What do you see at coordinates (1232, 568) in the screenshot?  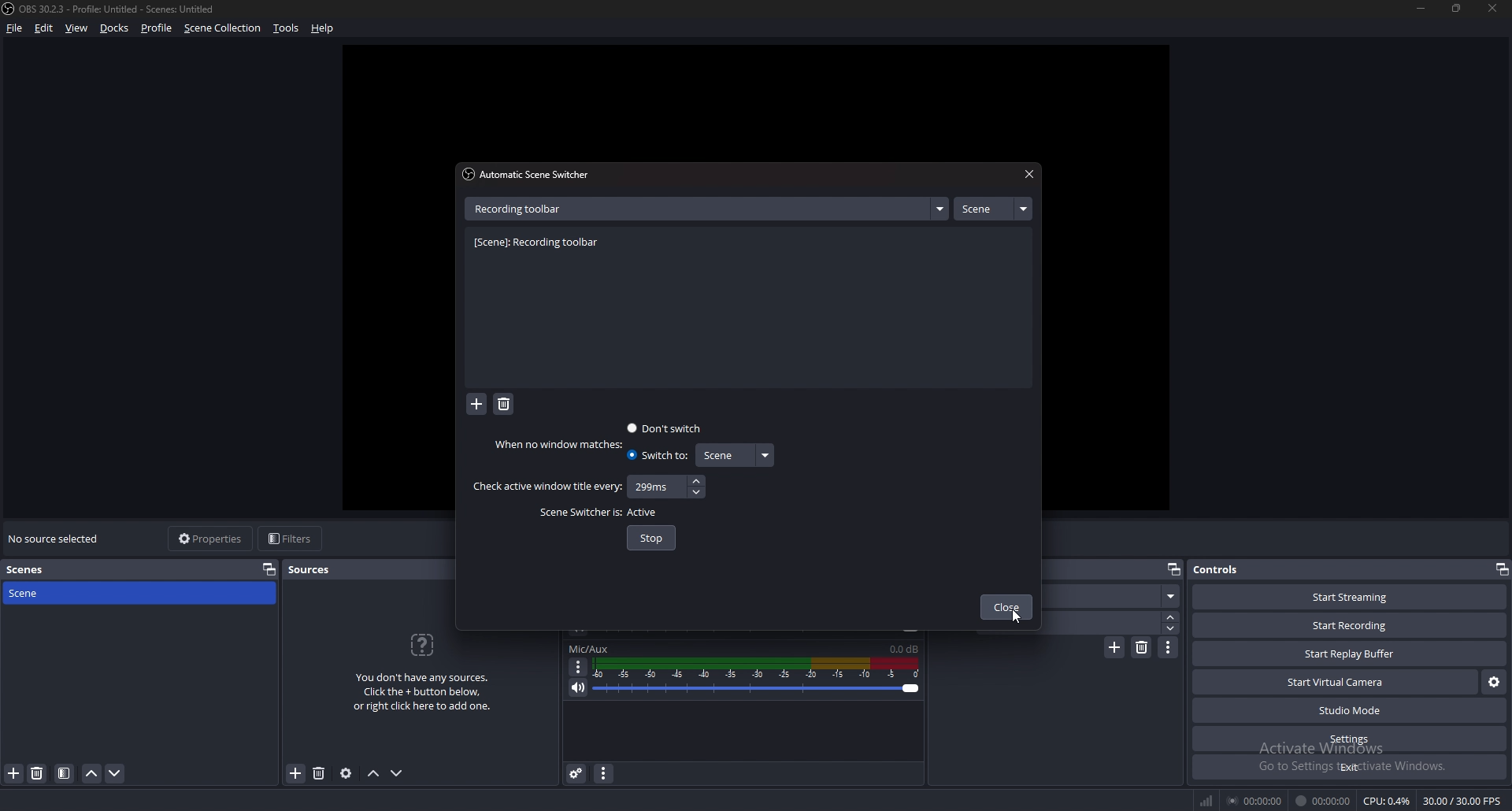 I see `controls` at bounding box center [1232, 568].